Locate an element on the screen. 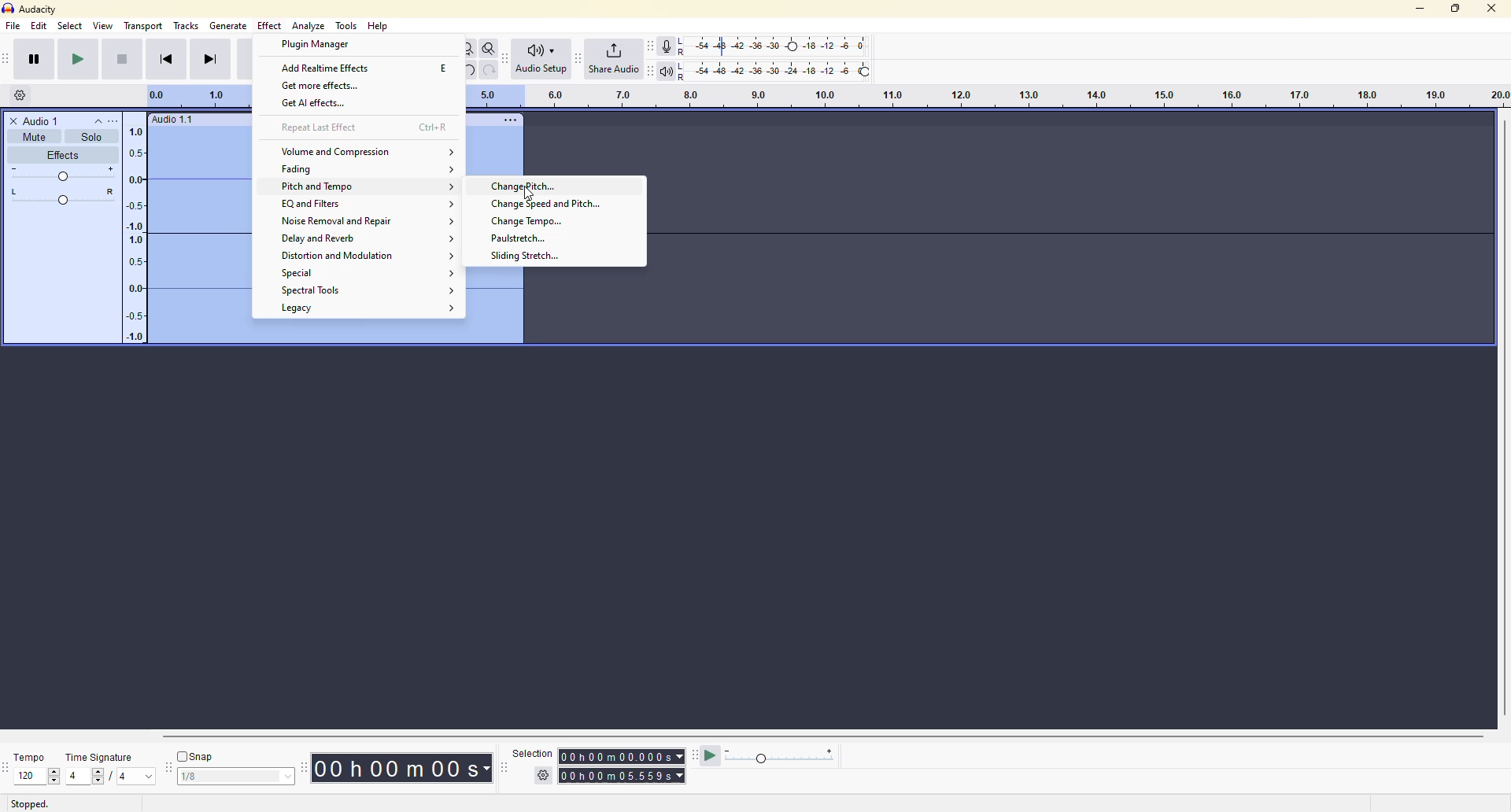 This screenshot has width=1511, height=812. 4 is located at coordinates (123, 778).